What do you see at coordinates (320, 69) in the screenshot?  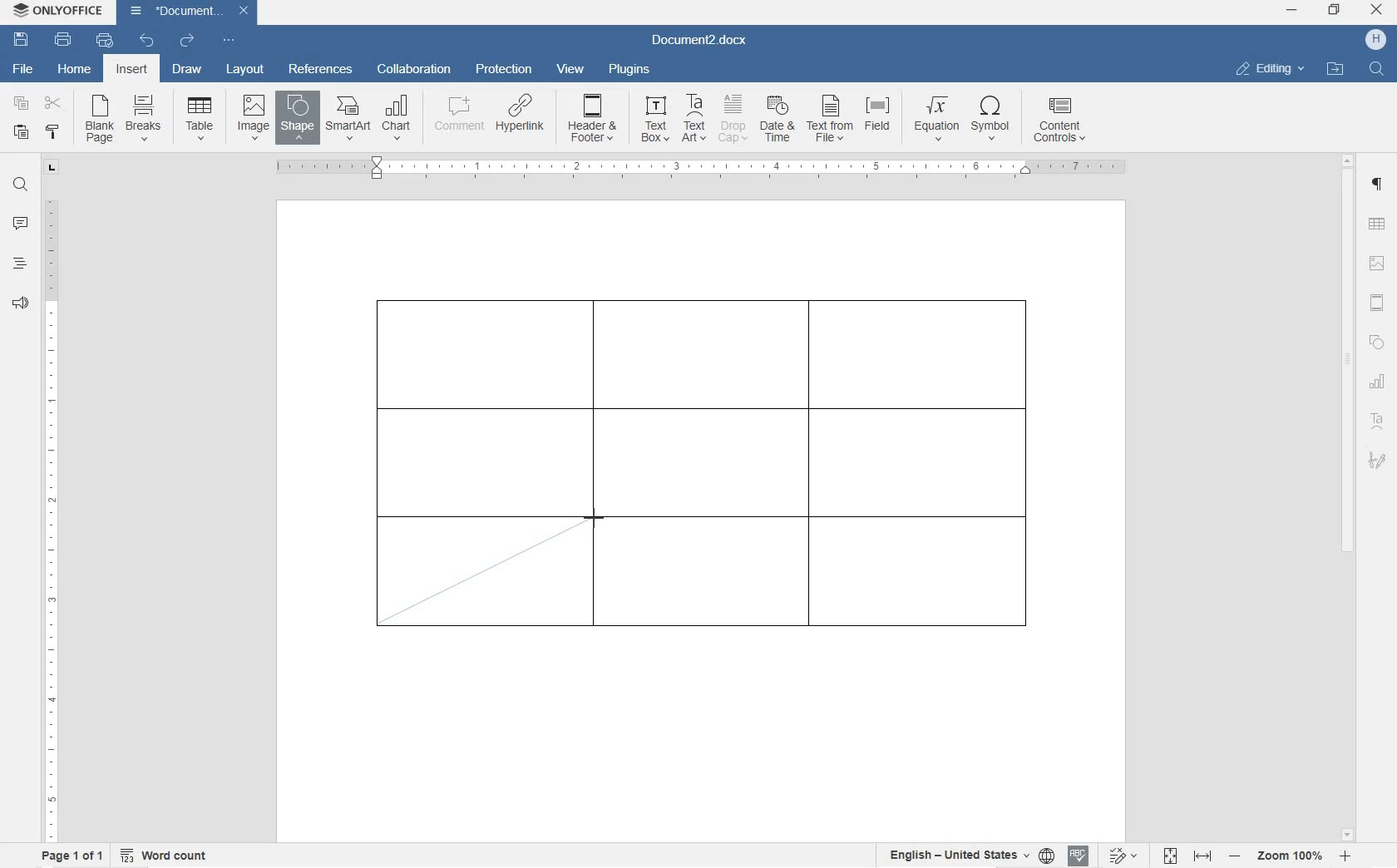 I see `references` at bounding box center [320, 69].